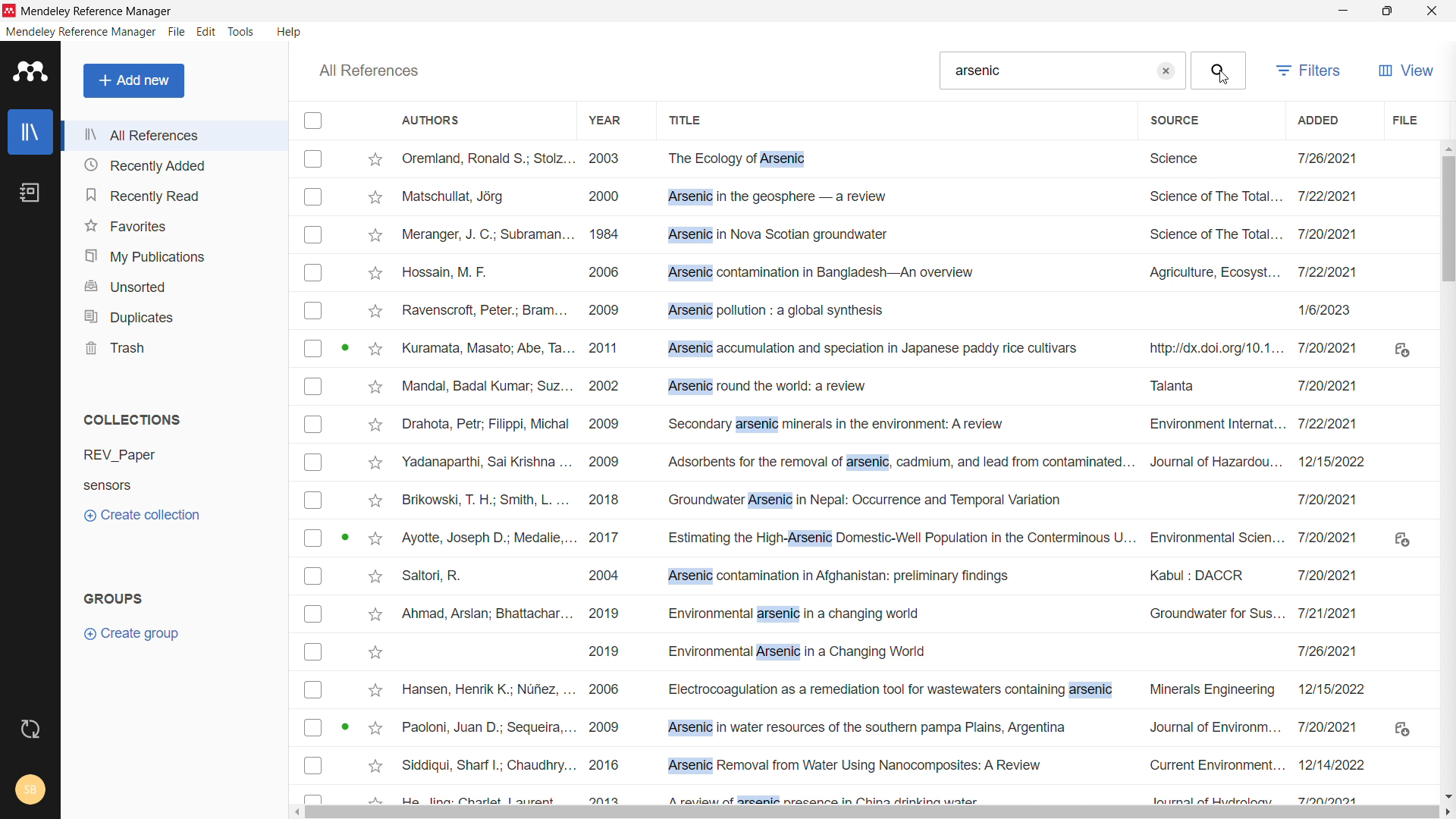 The image size is (1456, 819). I want to click on source, so click(1210, 120).